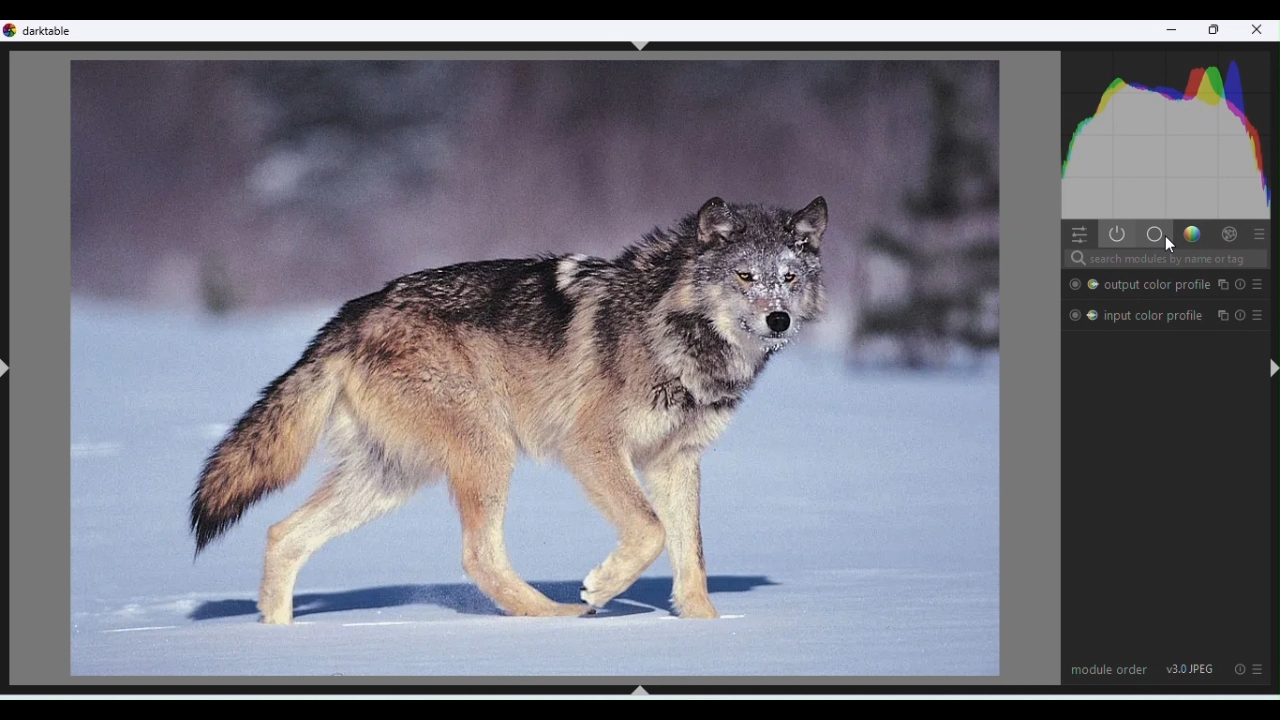  Describe the element at coordinates (1216, 31) in the screenshot. I see `Restore` at that location.